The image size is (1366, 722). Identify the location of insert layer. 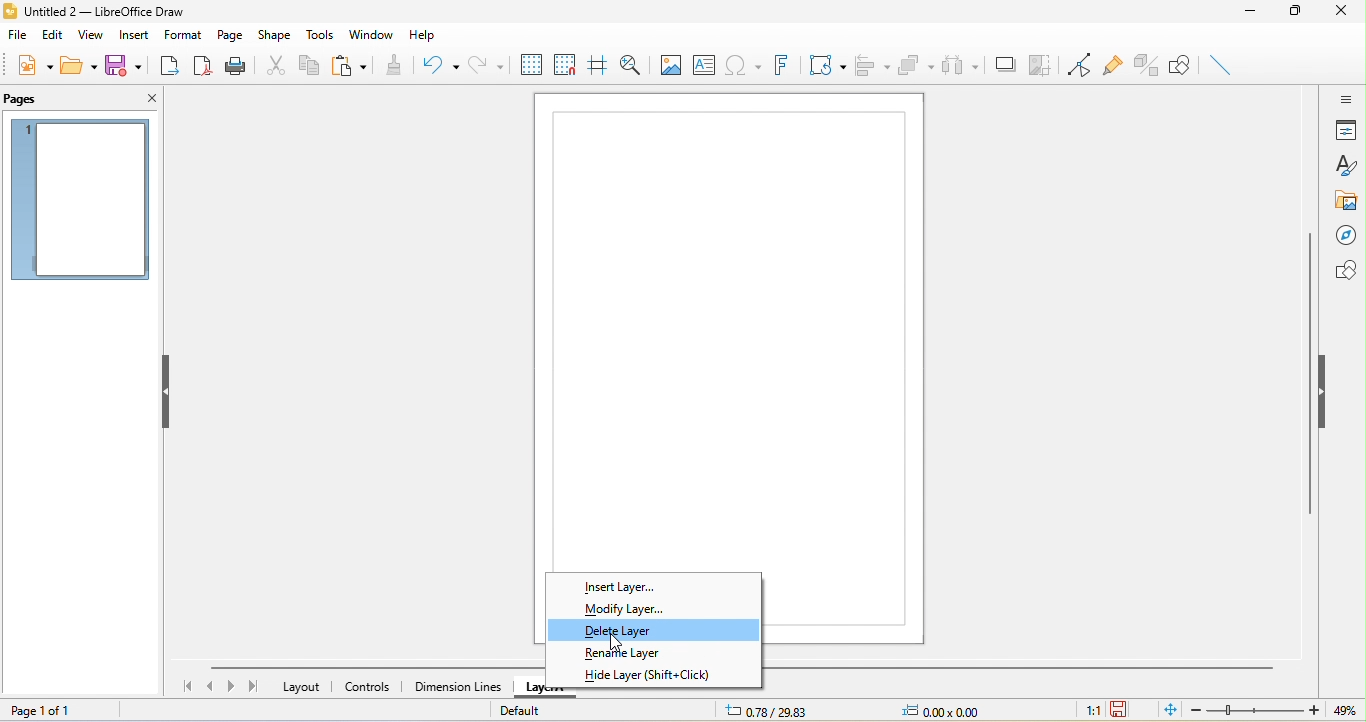
(654, 585).